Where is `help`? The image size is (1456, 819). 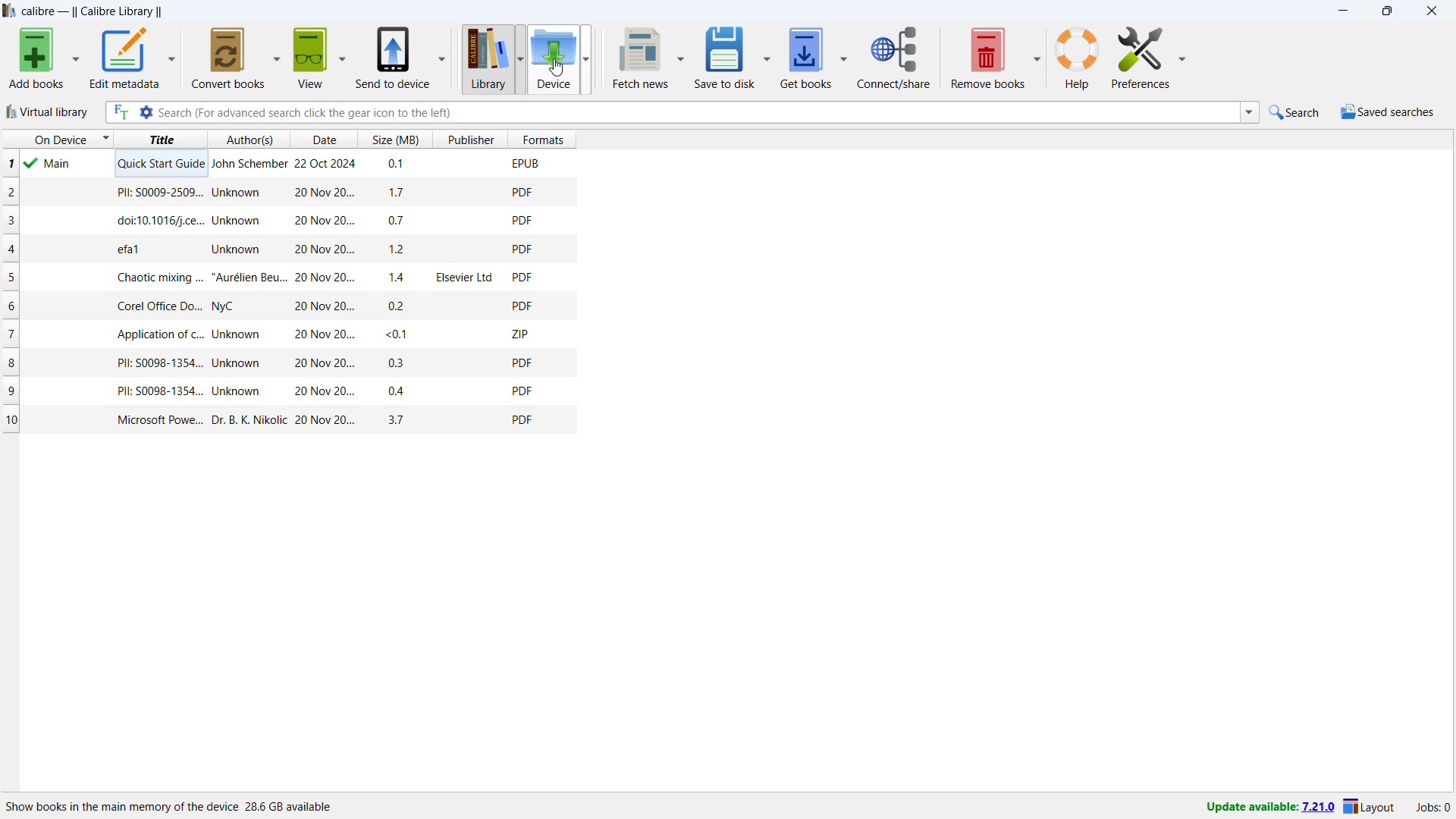 help is located at coordinates (1077, 57).